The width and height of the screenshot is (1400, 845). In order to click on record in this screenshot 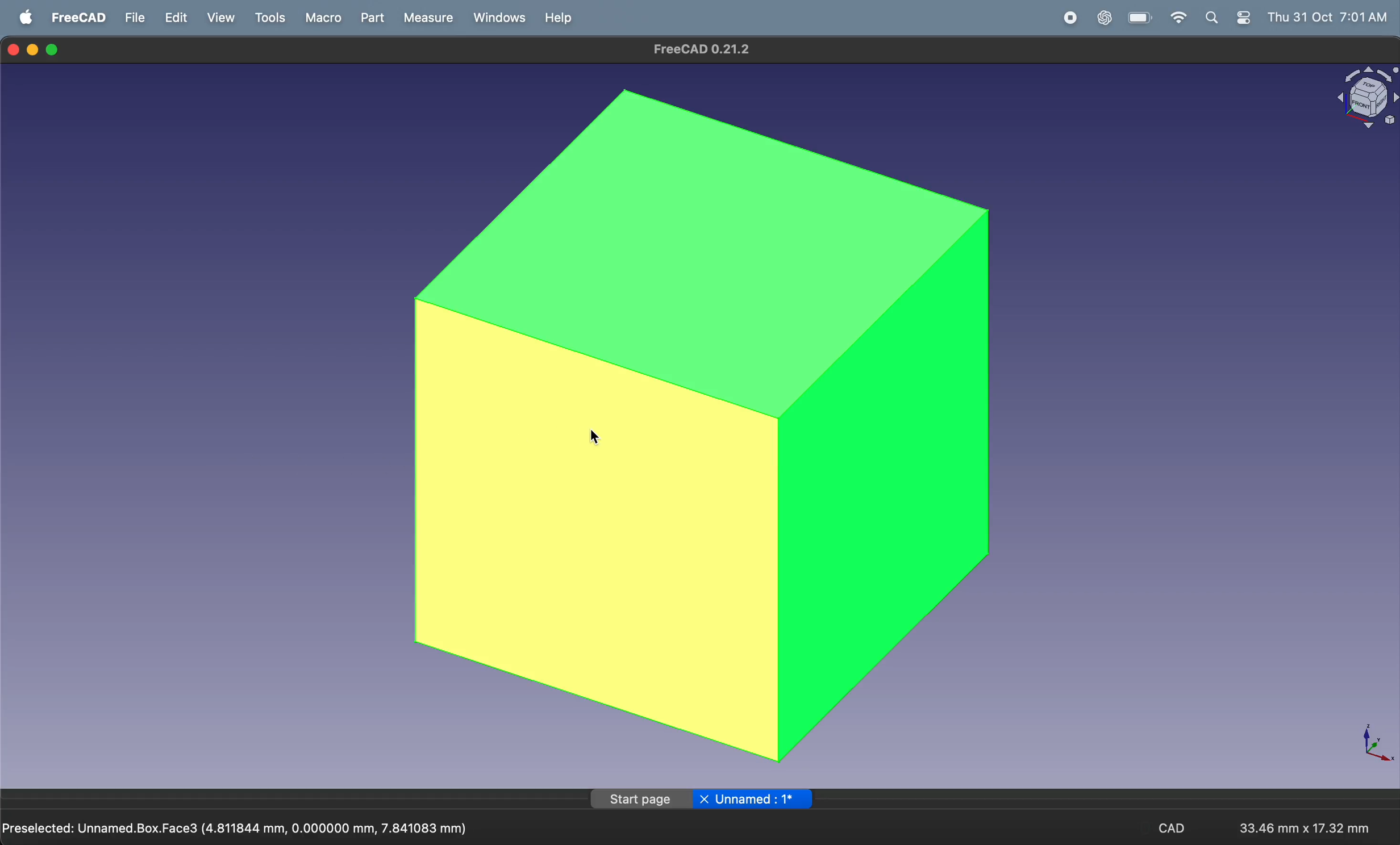, I will do `click(1069, 19)`.